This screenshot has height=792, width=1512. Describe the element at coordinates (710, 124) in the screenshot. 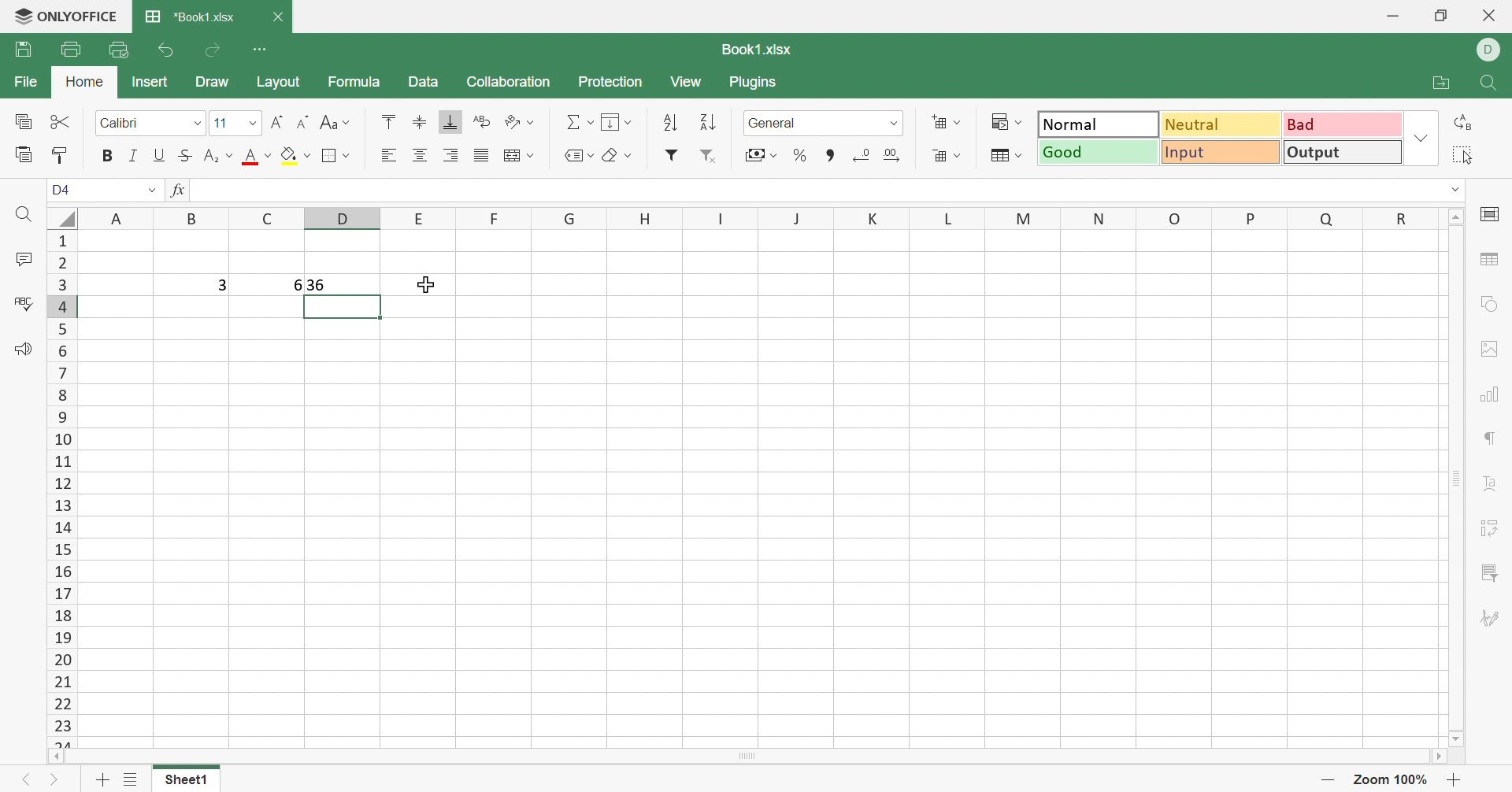

I see `Sort descending` at that location.